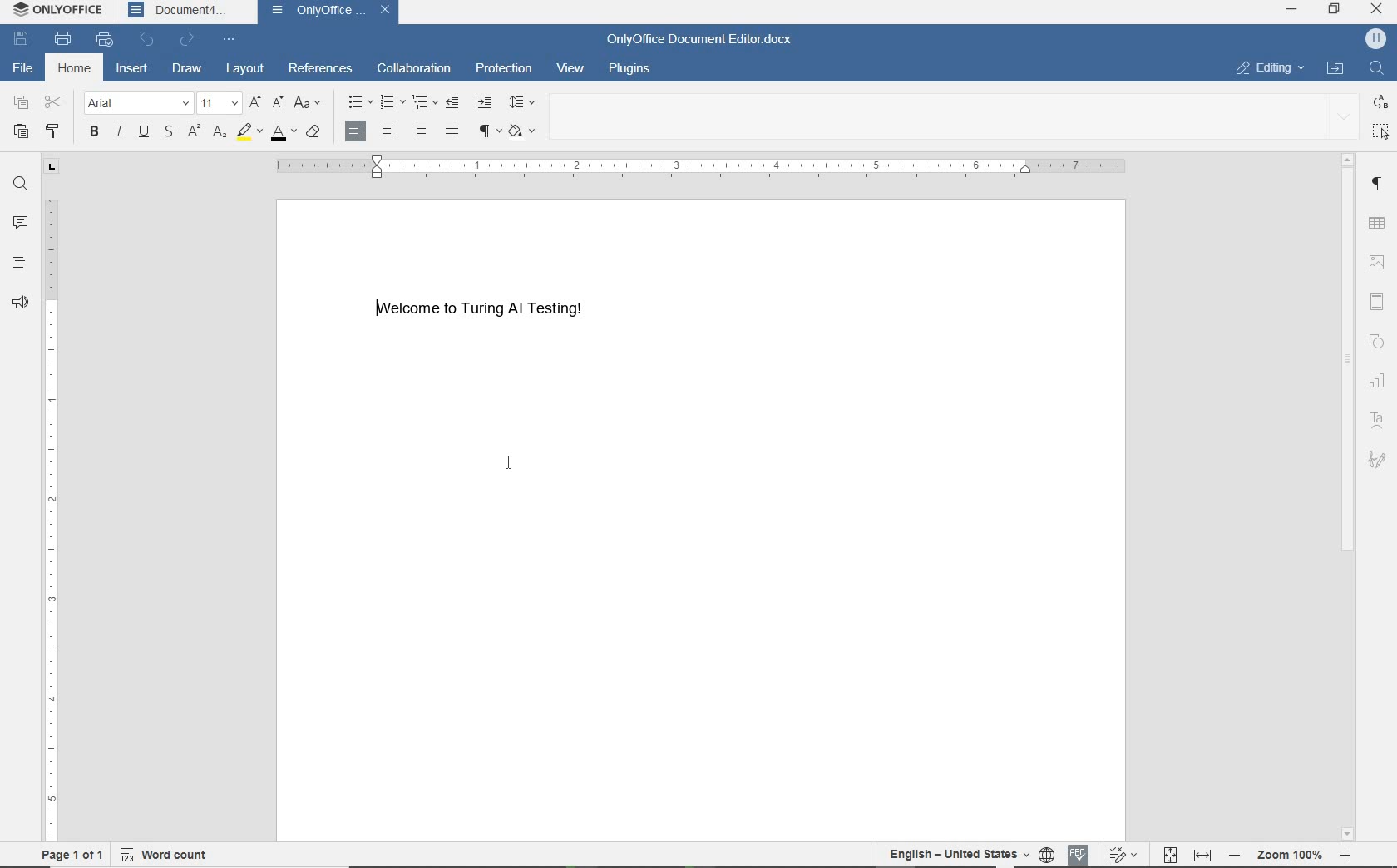  Describe the element at coordinates (1047, 856) in the screenshot. I see `set document language` at that location.